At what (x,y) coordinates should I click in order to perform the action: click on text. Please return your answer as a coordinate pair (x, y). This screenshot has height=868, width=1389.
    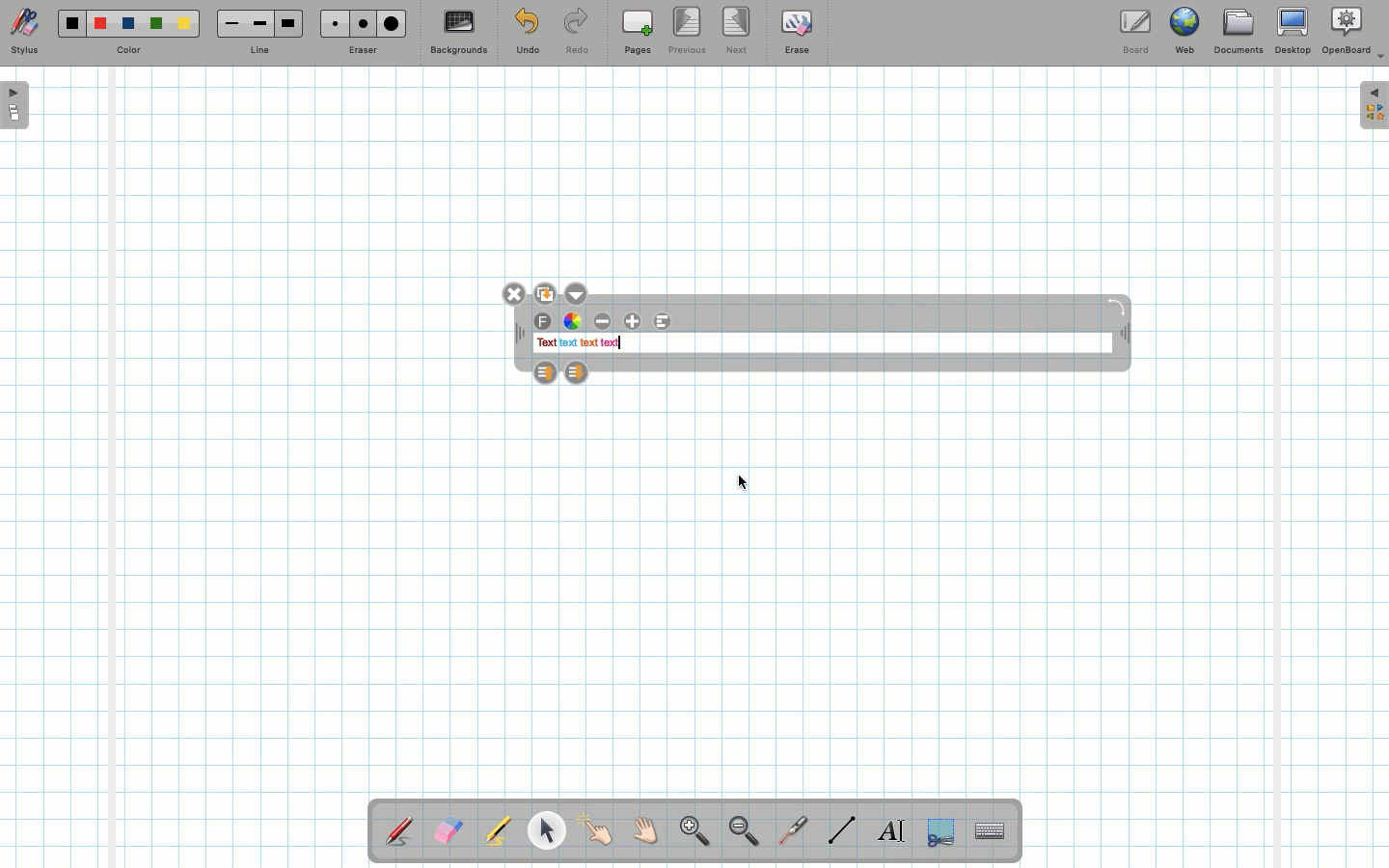
    Looking at the image, I should click on (589, 343).